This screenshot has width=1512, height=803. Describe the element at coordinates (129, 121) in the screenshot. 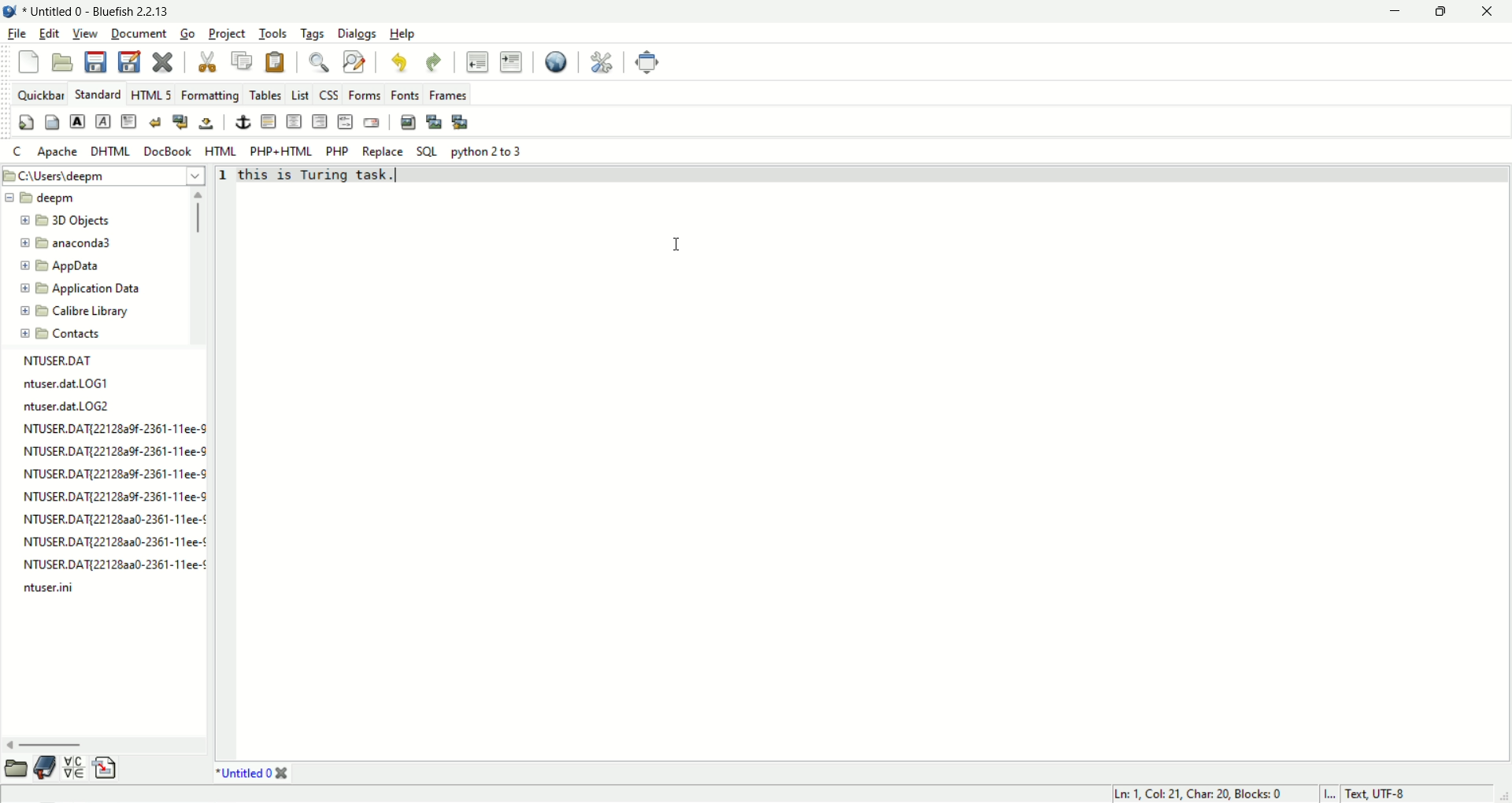

I see `pragraph` at that location.